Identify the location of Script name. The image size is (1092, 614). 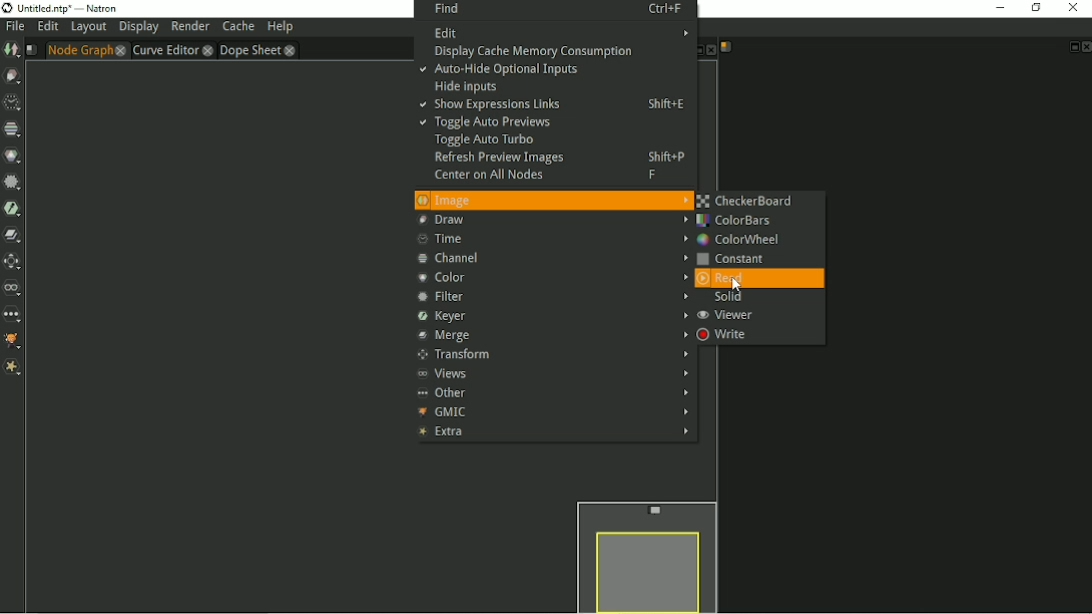
(726, 47).